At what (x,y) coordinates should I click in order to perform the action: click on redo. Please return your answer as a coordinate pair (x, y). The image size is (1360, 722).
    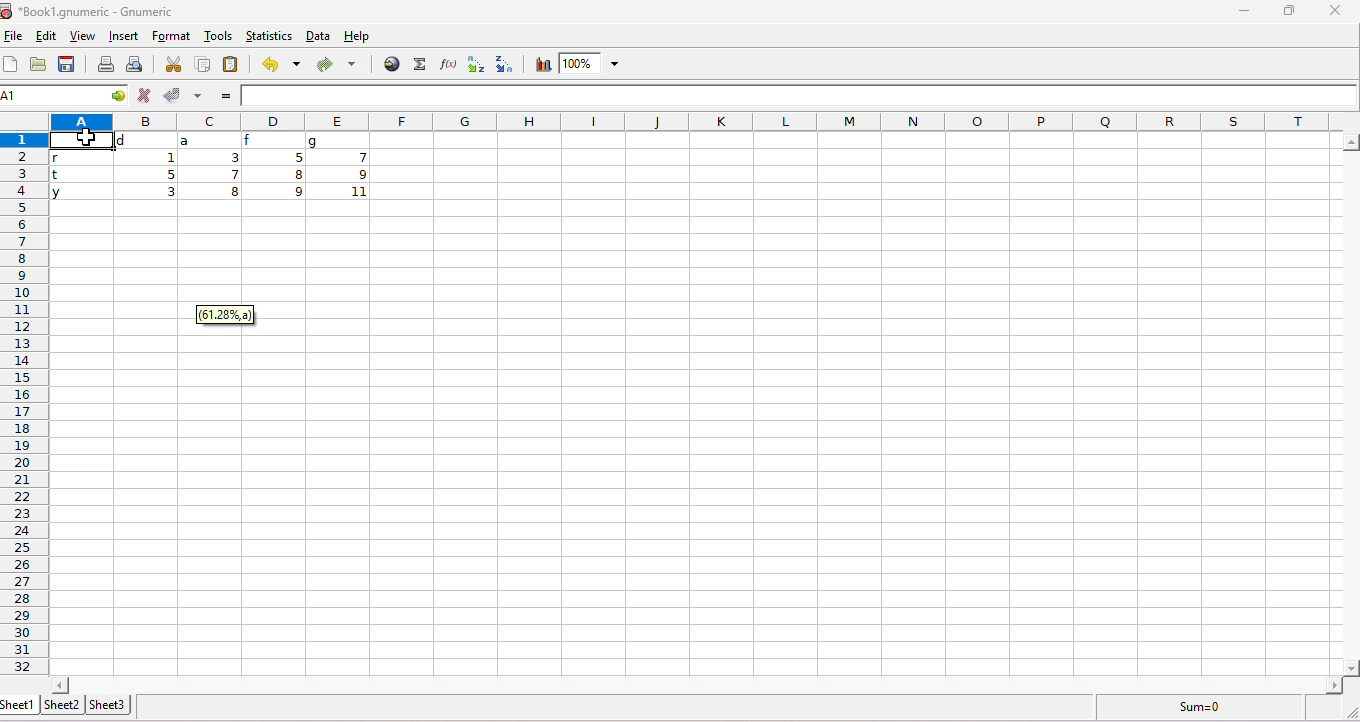
    Looking at the image, I should click on (335, 66).